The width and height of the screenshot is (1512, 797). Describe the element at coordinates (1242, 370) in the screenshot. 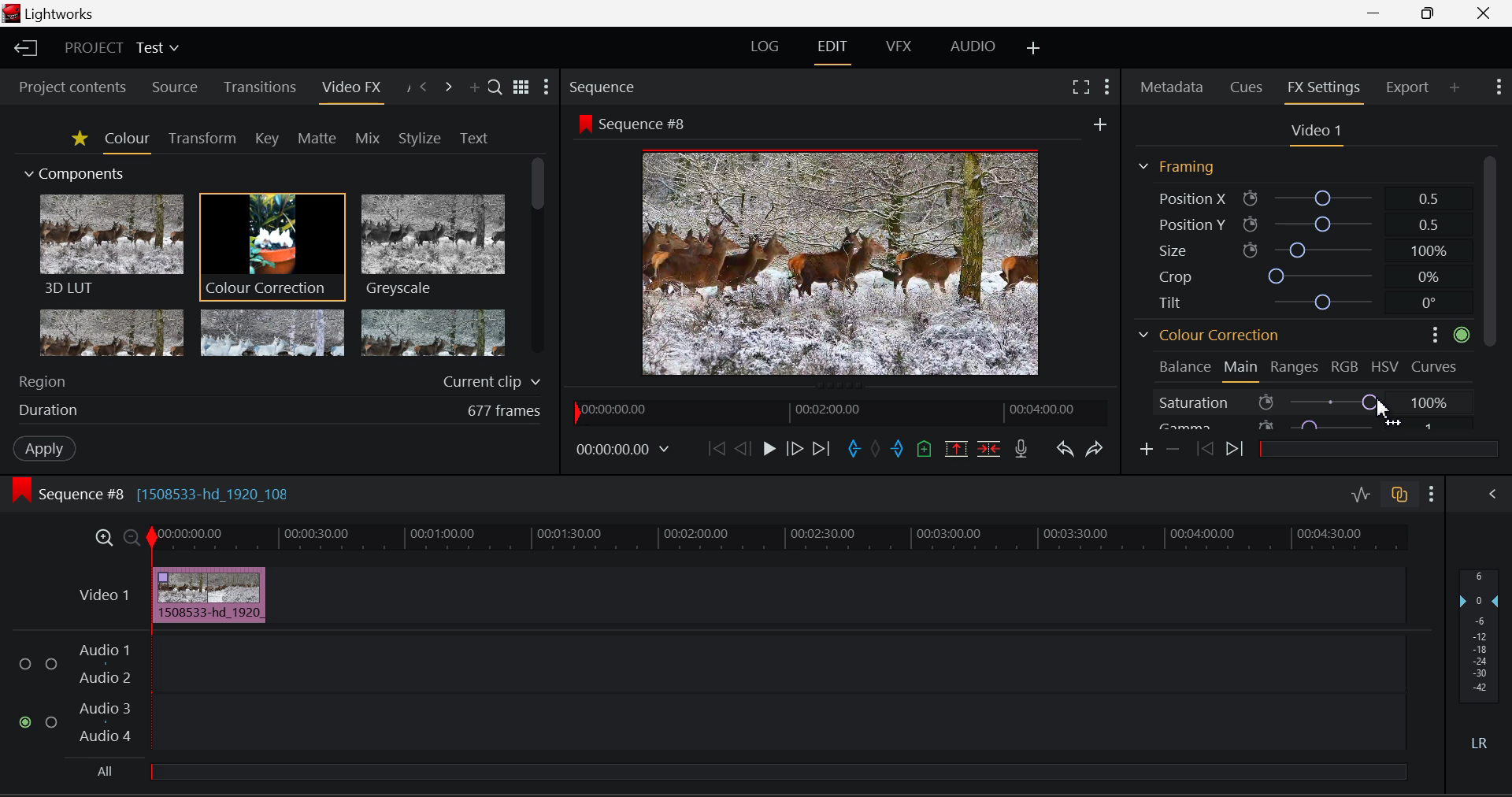

I see `Main Tab Open` at that location.